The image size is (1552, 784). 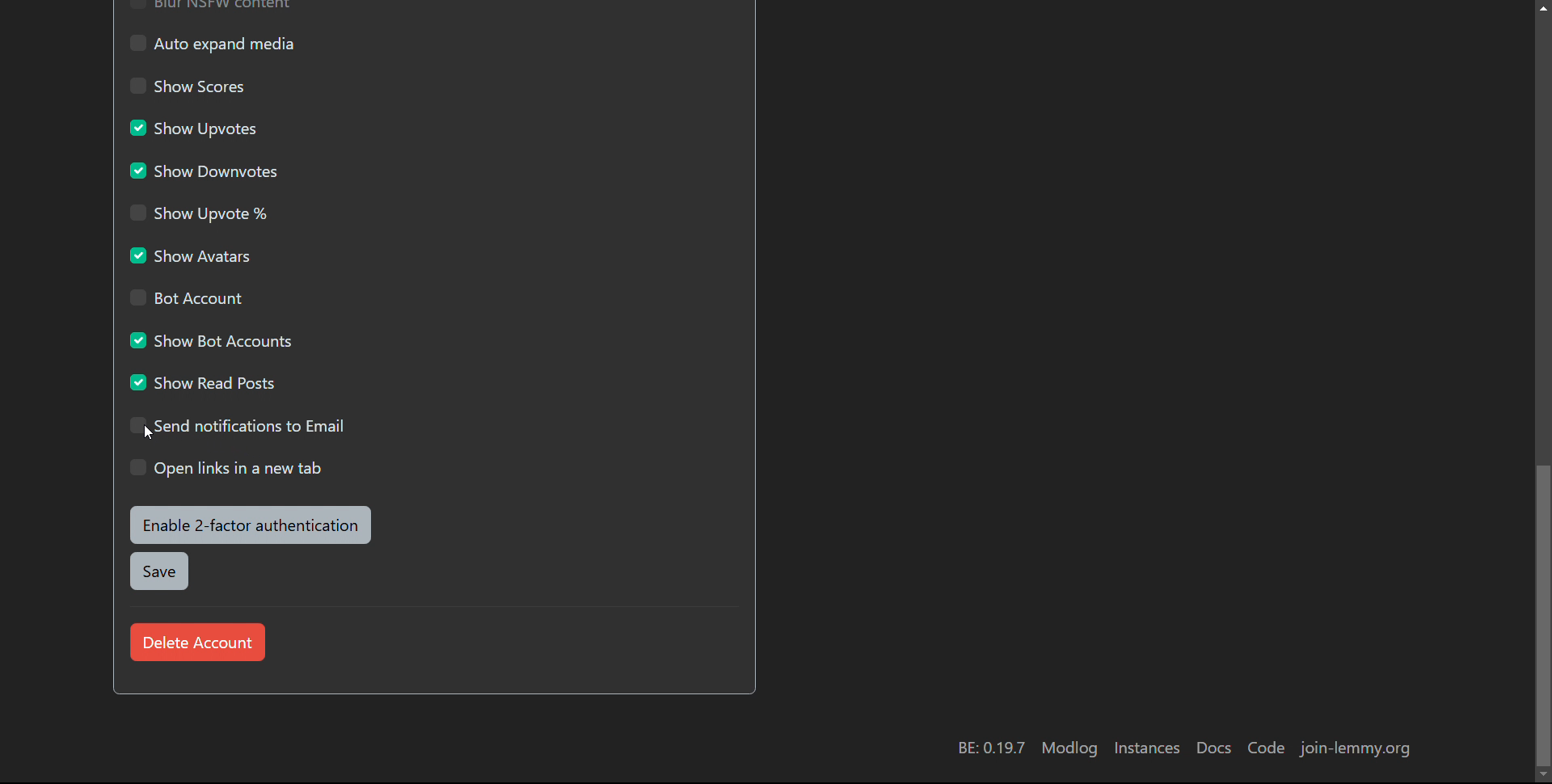 What do you see at coordinates (193, 127) in the screenshot?
I see `show updates` at bounding box center [193, 127].